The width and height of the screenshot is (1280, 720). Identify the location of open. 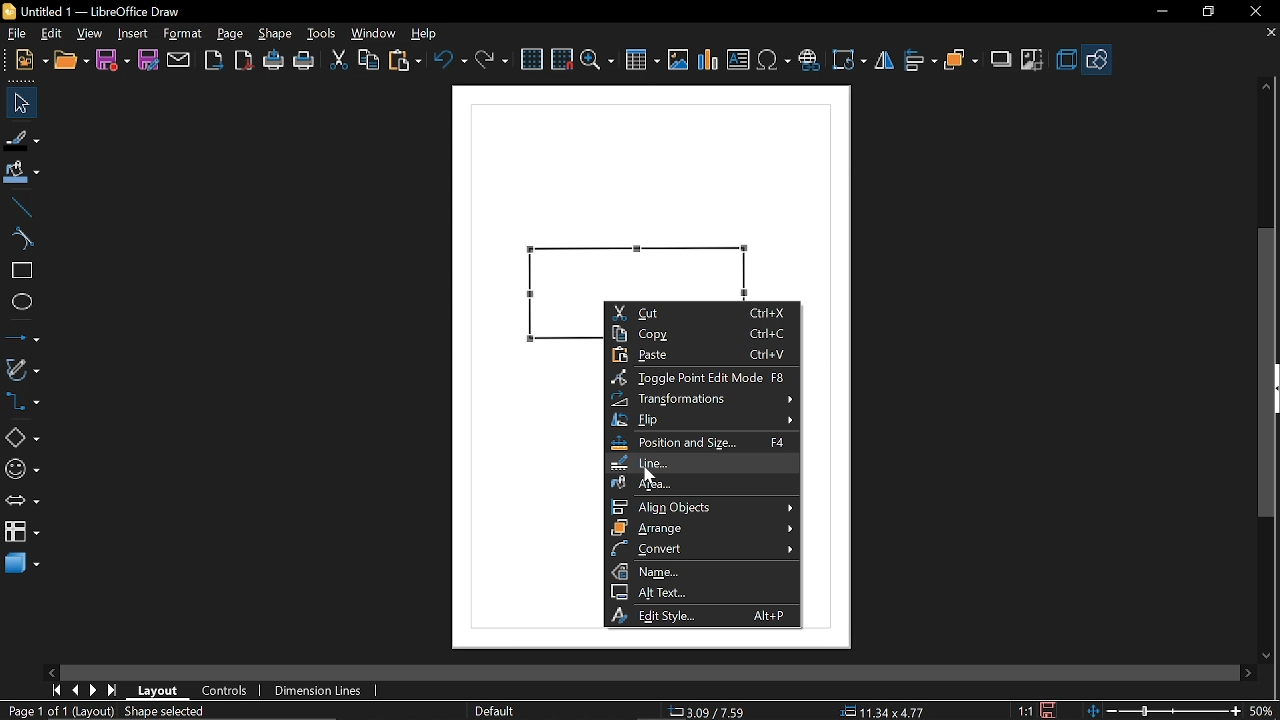
(72, 58).